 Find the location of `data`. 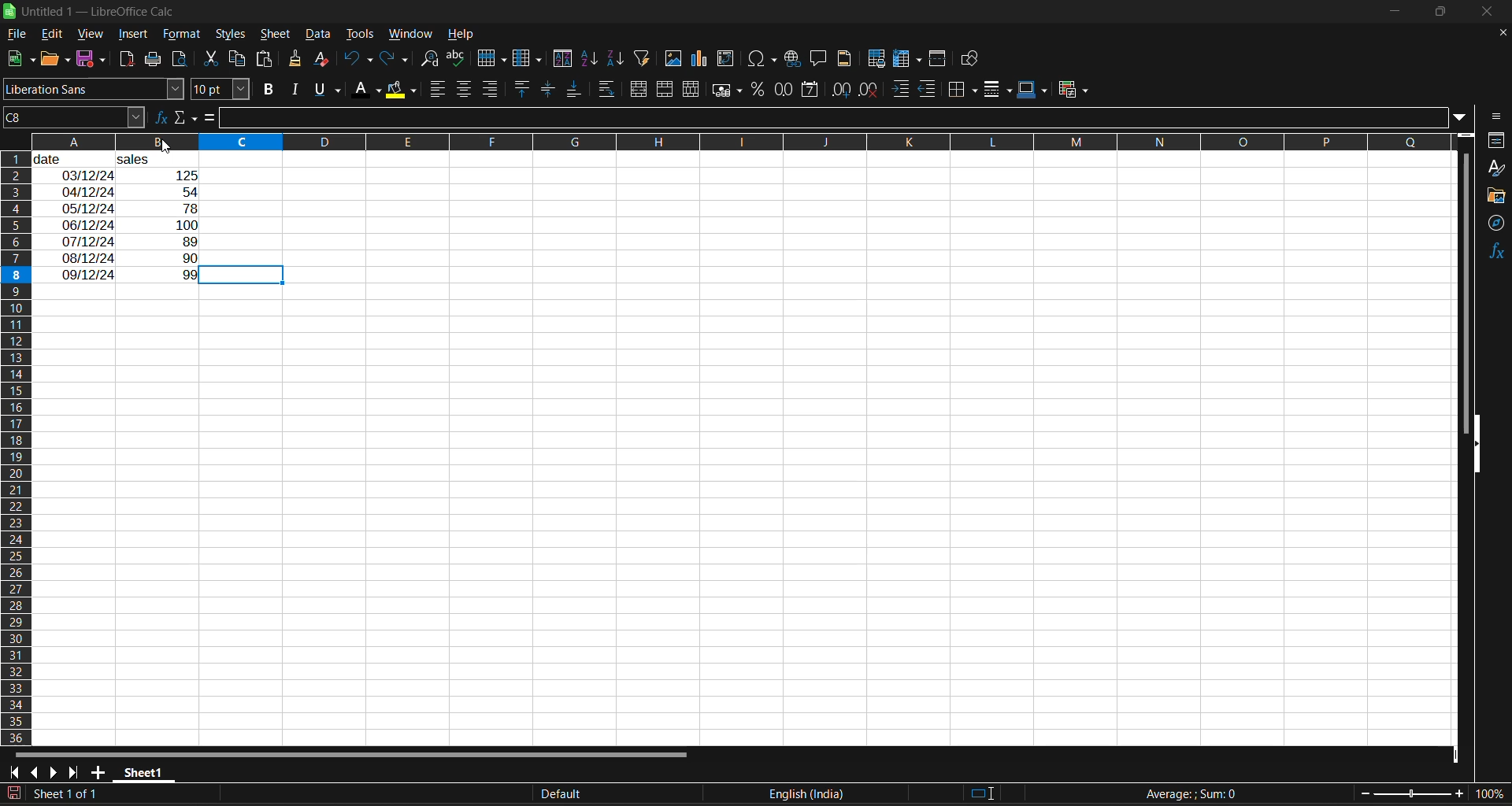

data is located at coordinates (129, 224).